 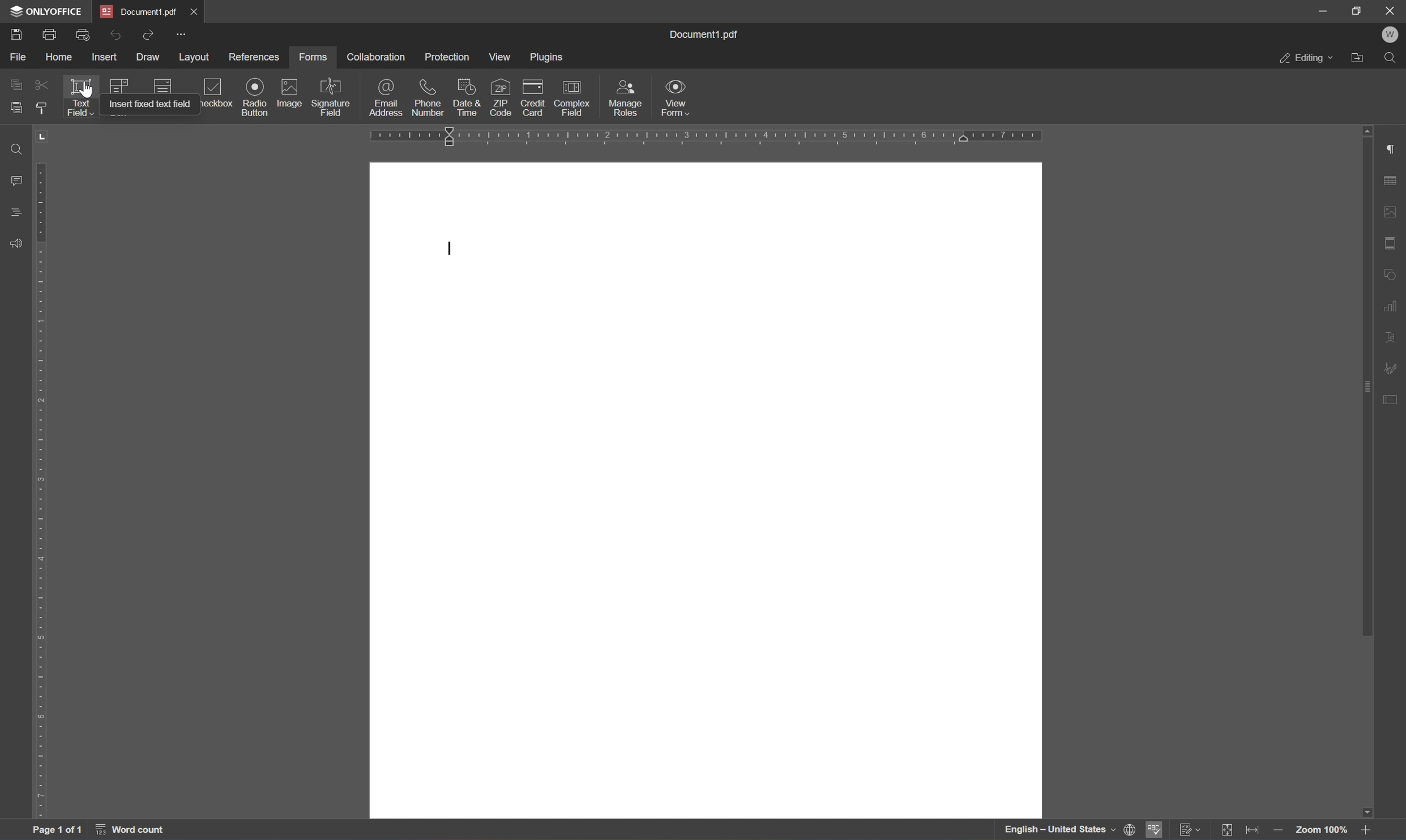 What do you see at coordinates (1277, 832) in the screenshot?
I see `zoom out` at bounding box center [1277, 832].